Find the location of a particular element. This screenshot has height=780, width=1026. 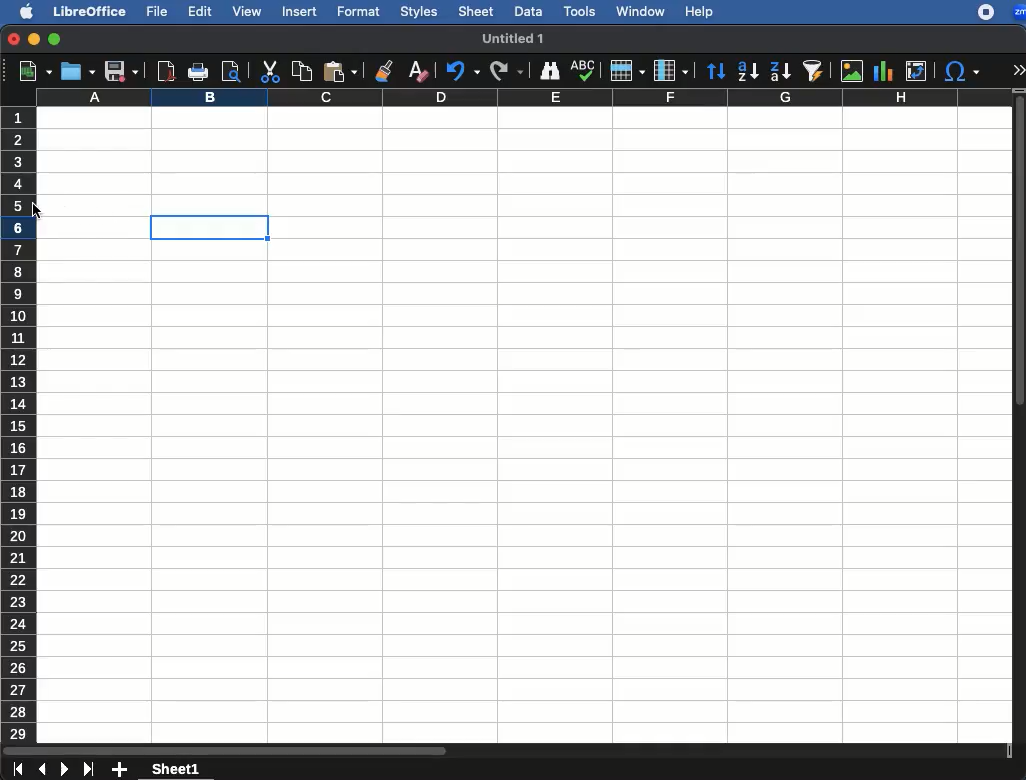

chart is located at coordinates (886, 70).